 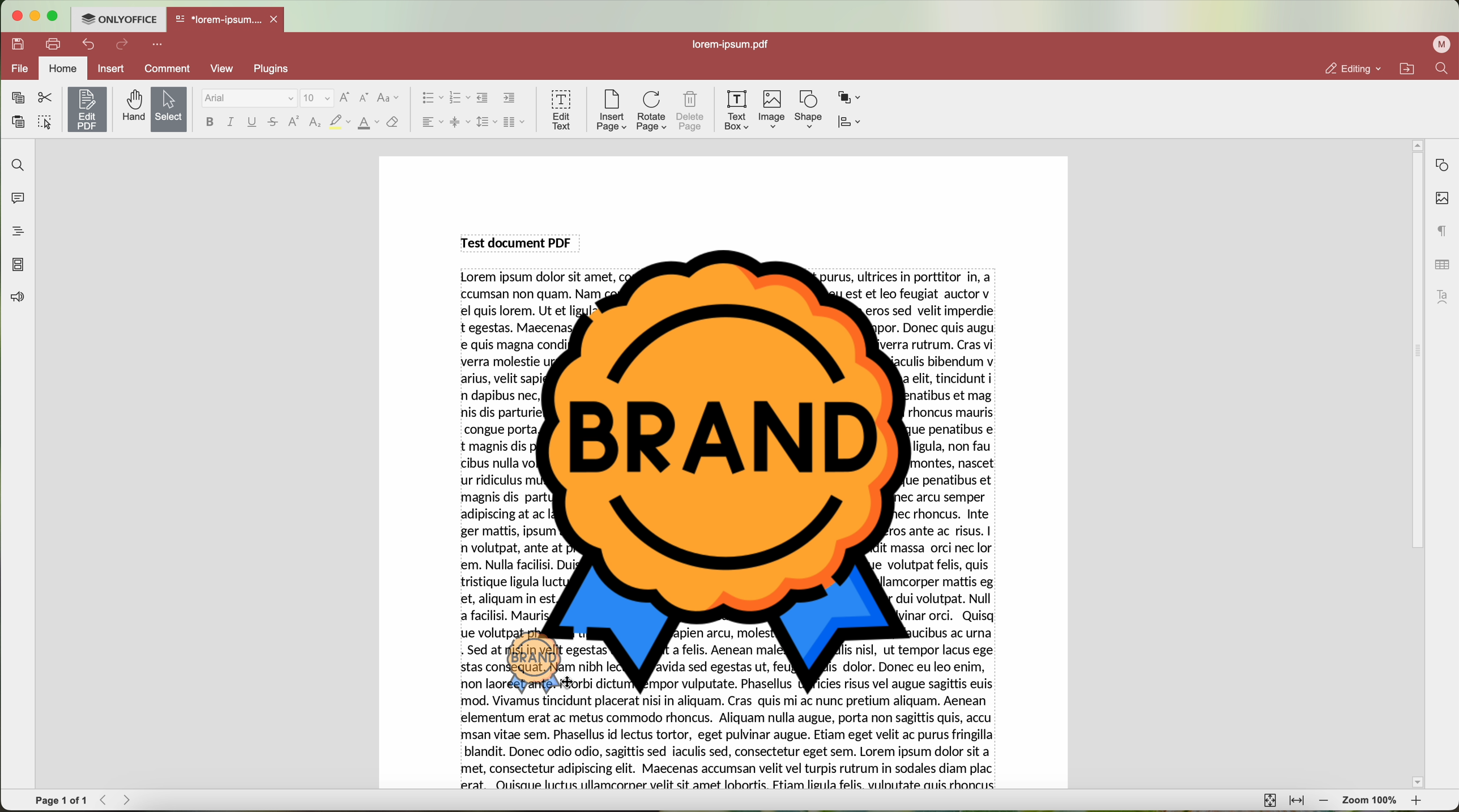 What do you see at coordinates (388, 98) in the screenshot?
I see `change case` at bounding box center [388, 98].